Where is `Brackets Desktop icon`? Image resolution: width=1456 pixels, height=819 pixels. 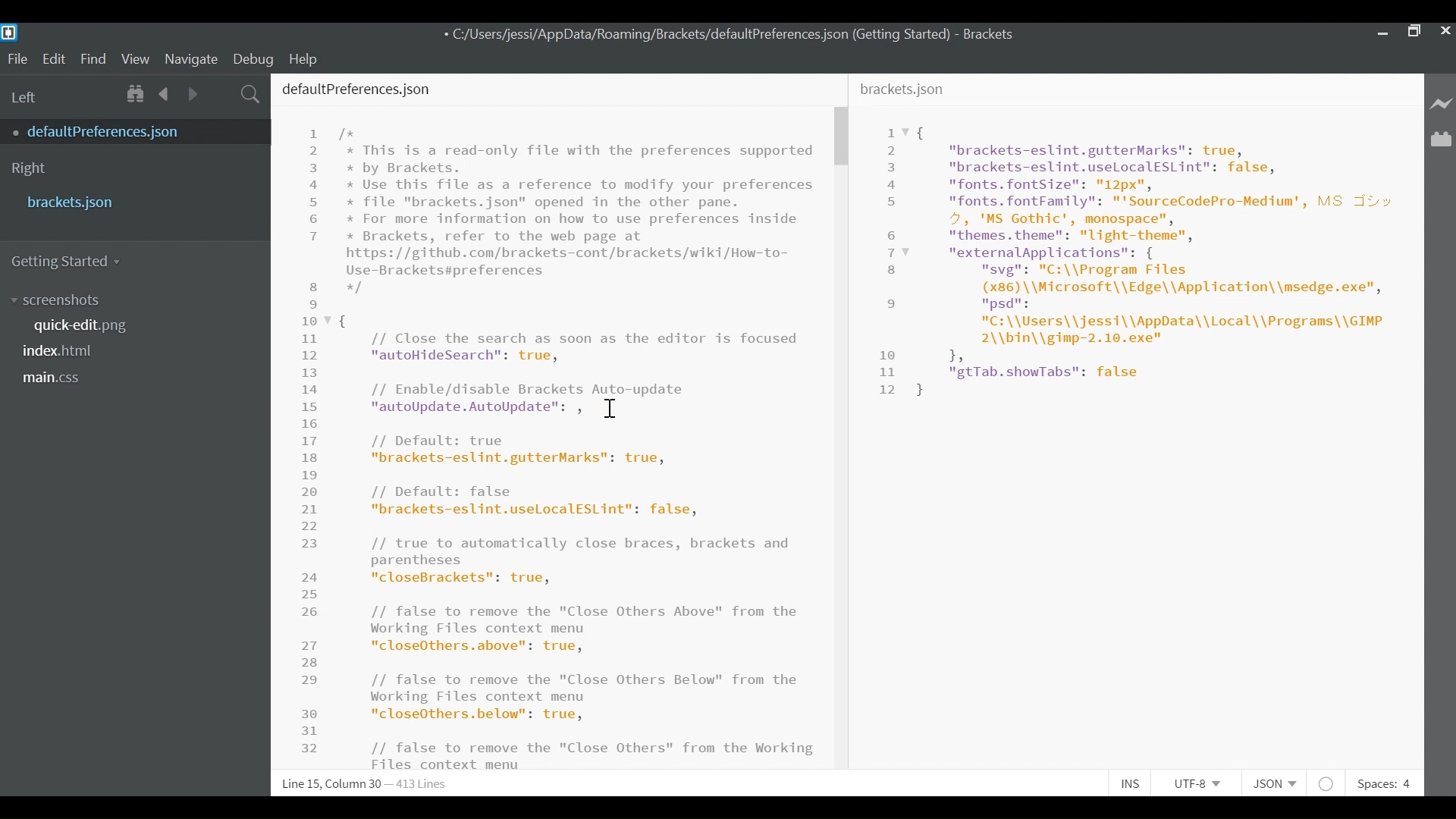 Brackets Desktop icon is located at coordinates (14, 32).